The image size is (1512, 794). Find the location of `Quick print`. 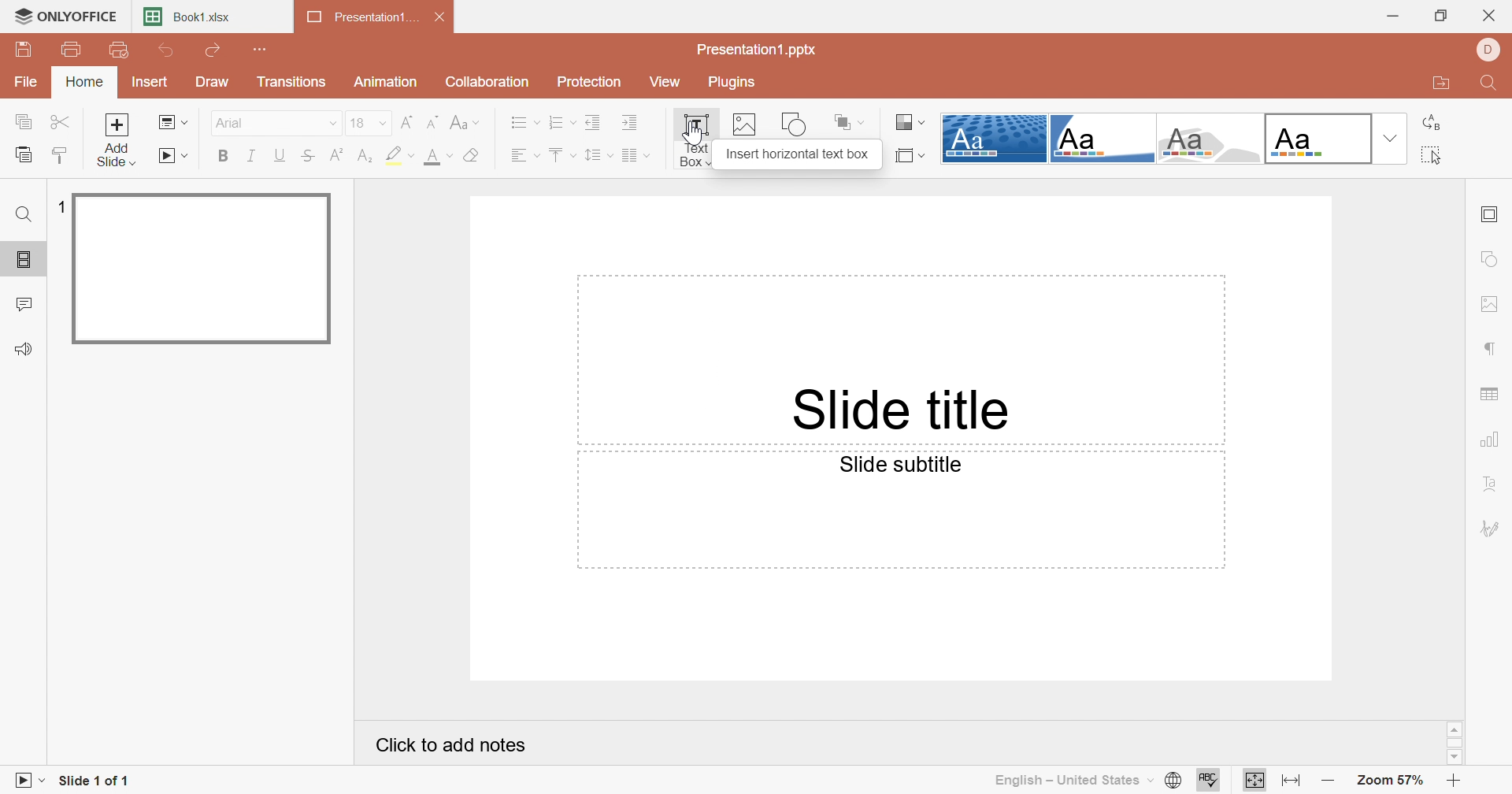

Quick print is located at coordinates (117, 49).